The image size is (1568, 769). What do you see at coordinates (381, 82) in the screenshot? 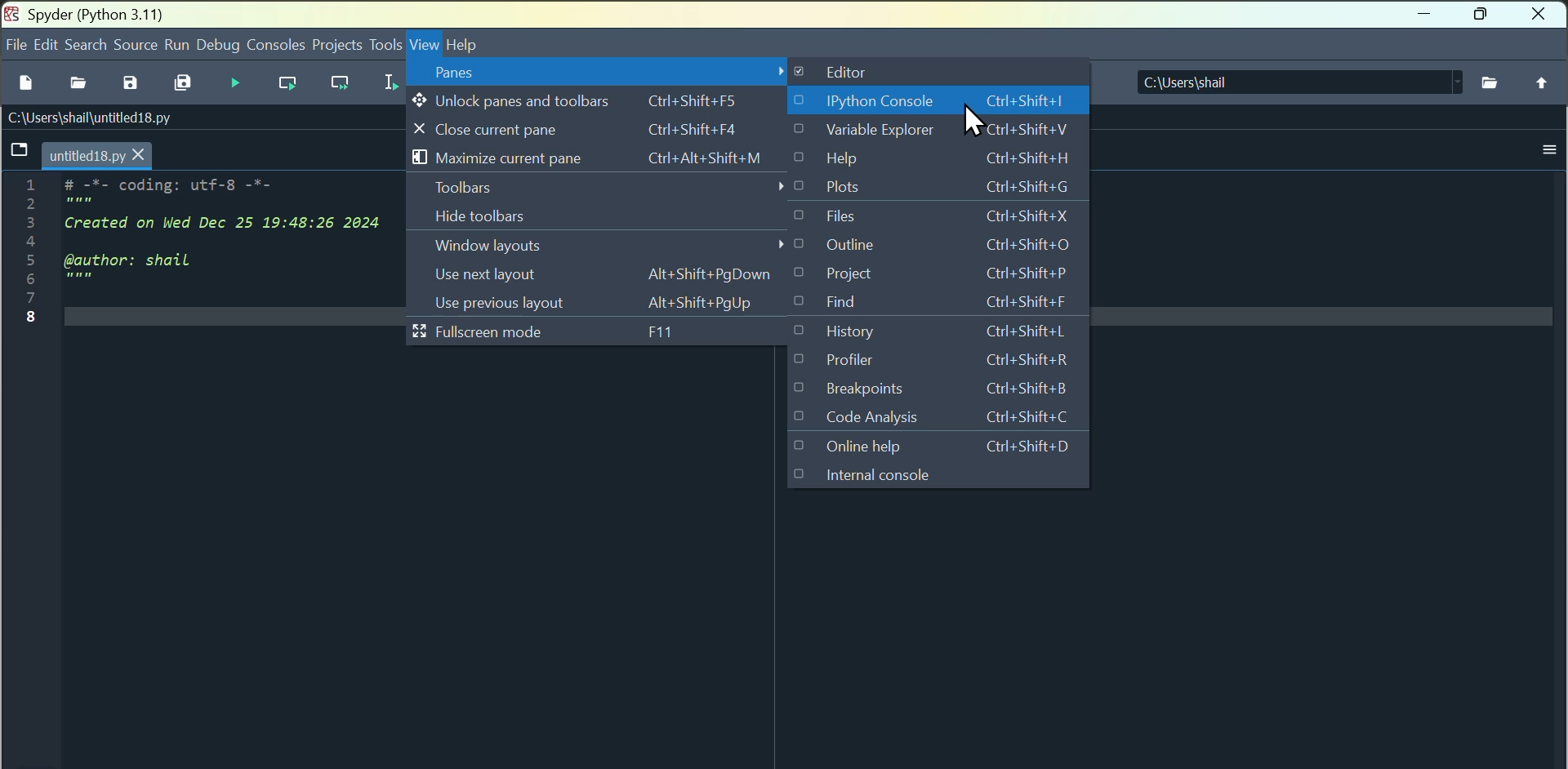
I see `Run selected cell` at bounding box center [381, 82].